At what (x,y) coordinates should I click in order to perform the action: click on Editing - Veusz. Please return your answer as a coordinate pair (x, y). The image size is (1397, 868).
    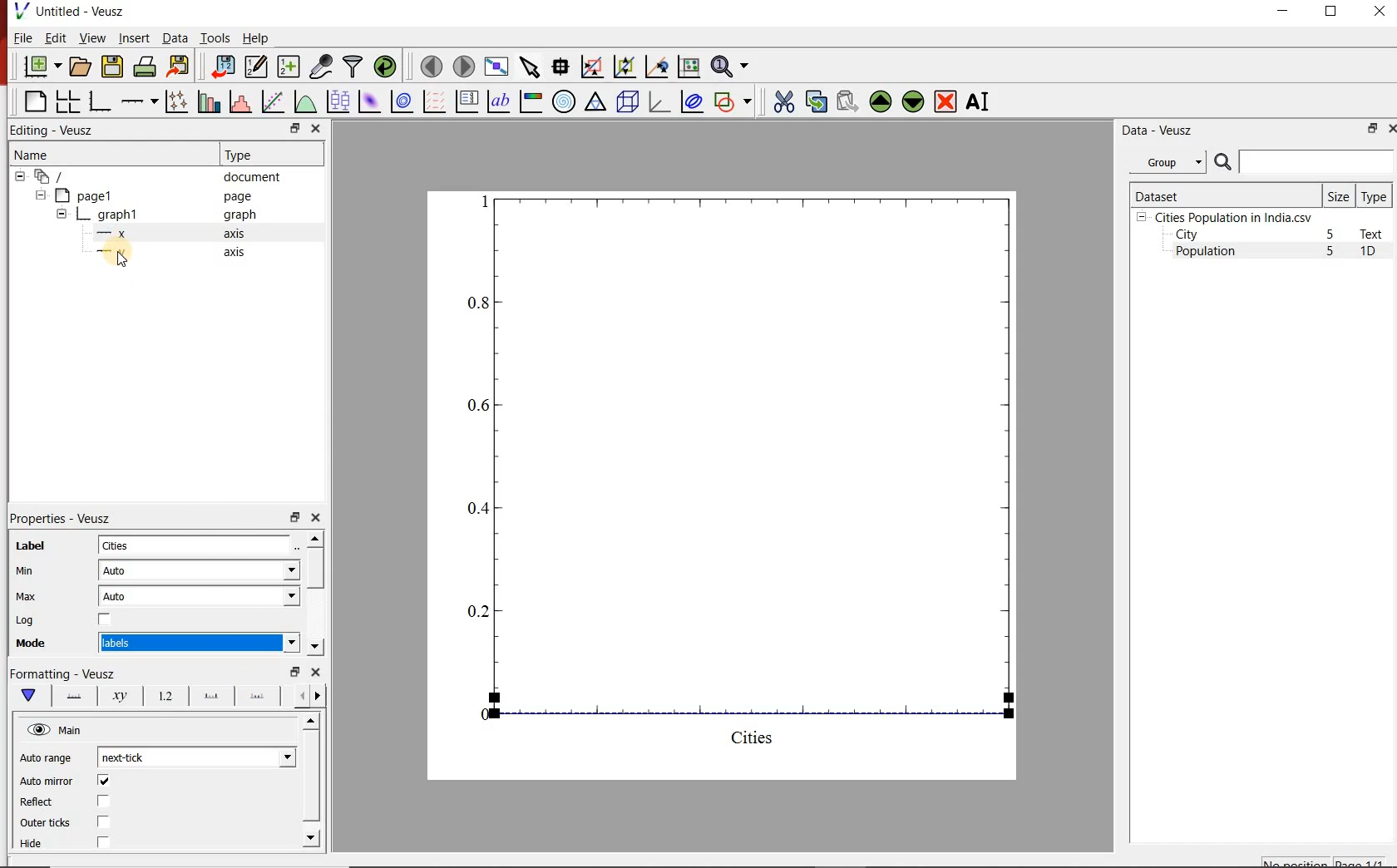
    Looking at the image, I should click on (61, 130).